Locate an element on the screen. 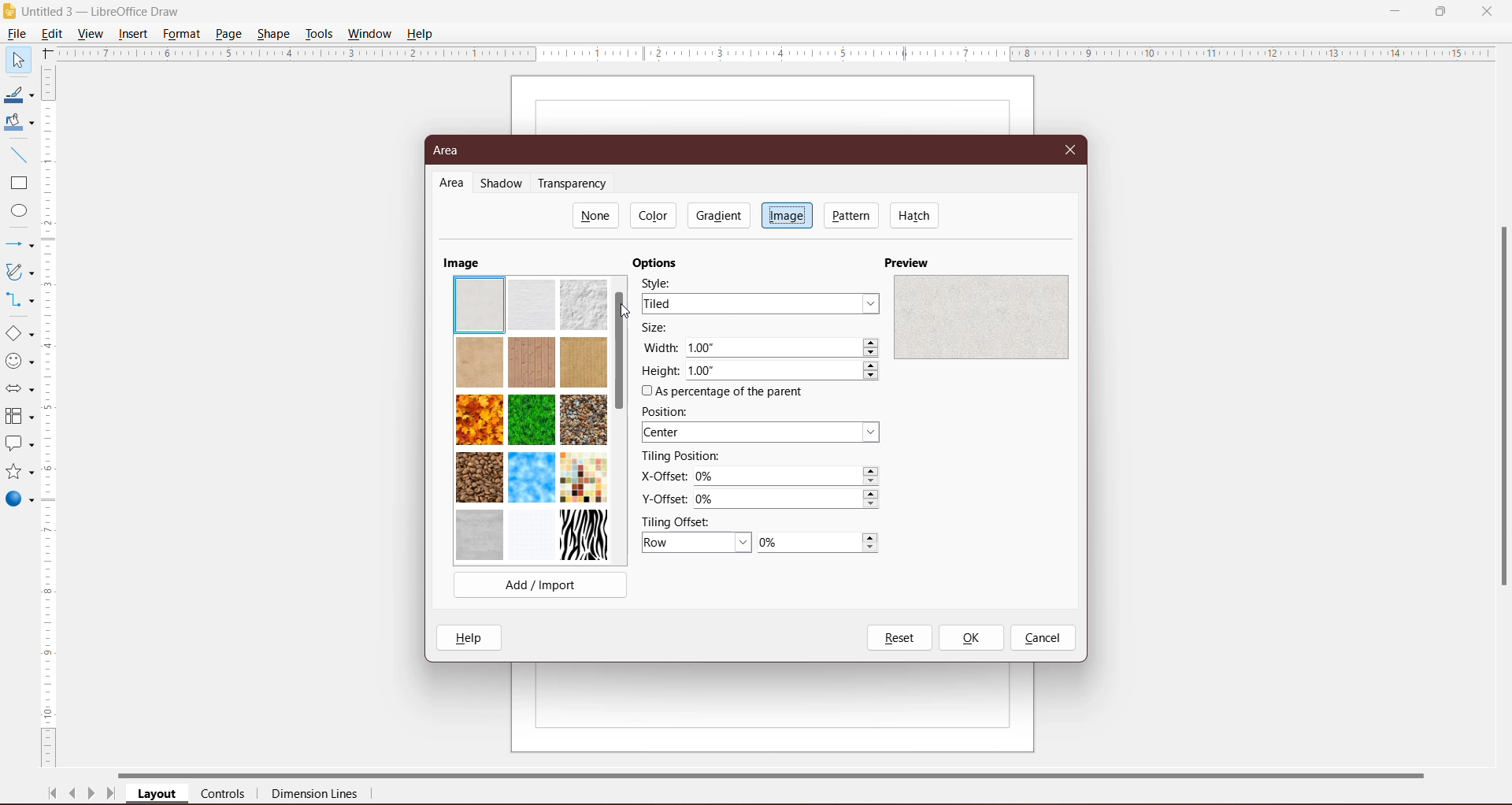 This screenshot has height=805, width=1512. Add/Import is located at coordinates (541, 584).